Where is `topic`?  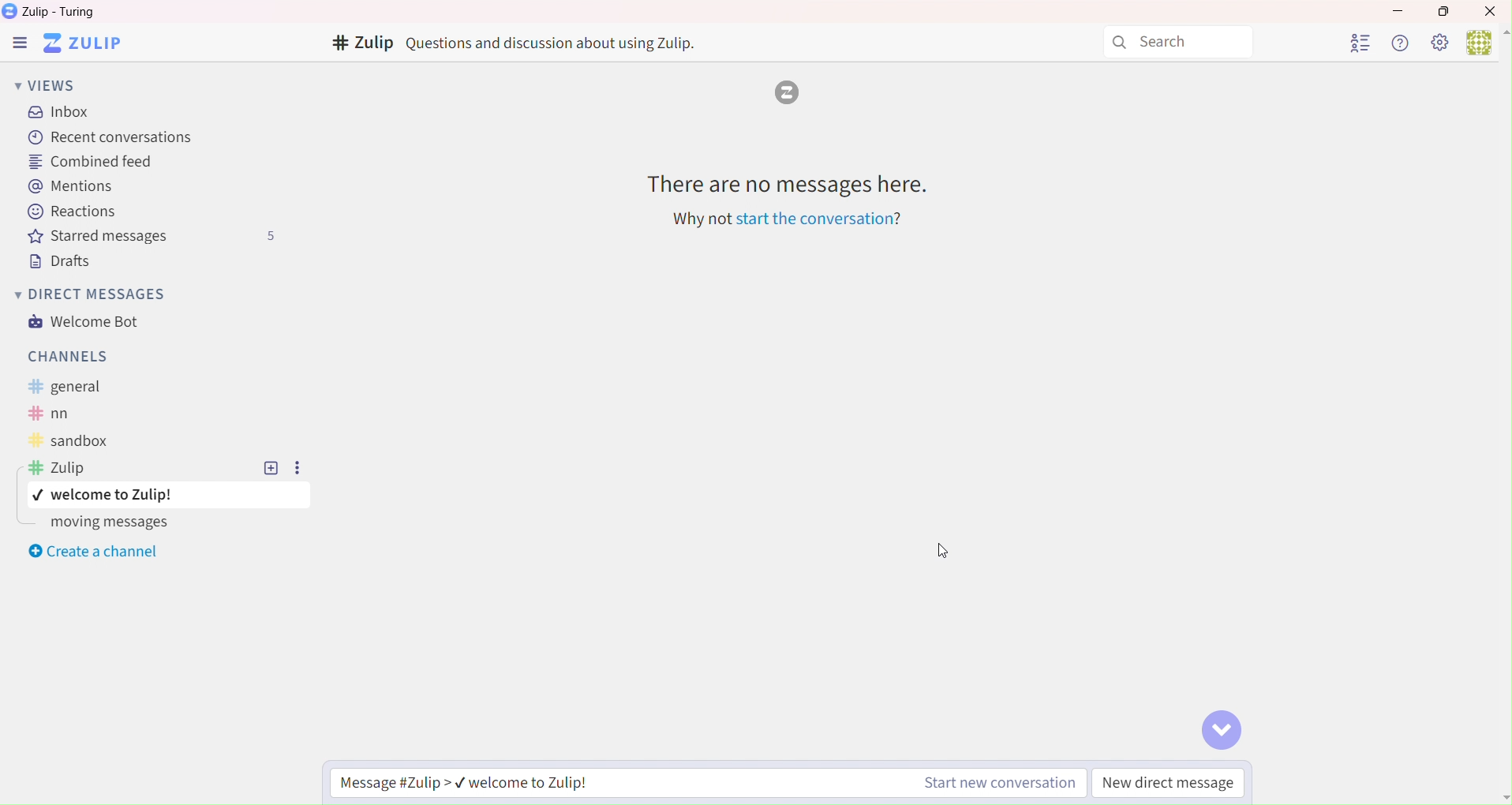 topic is located at coordinates (119, 495).